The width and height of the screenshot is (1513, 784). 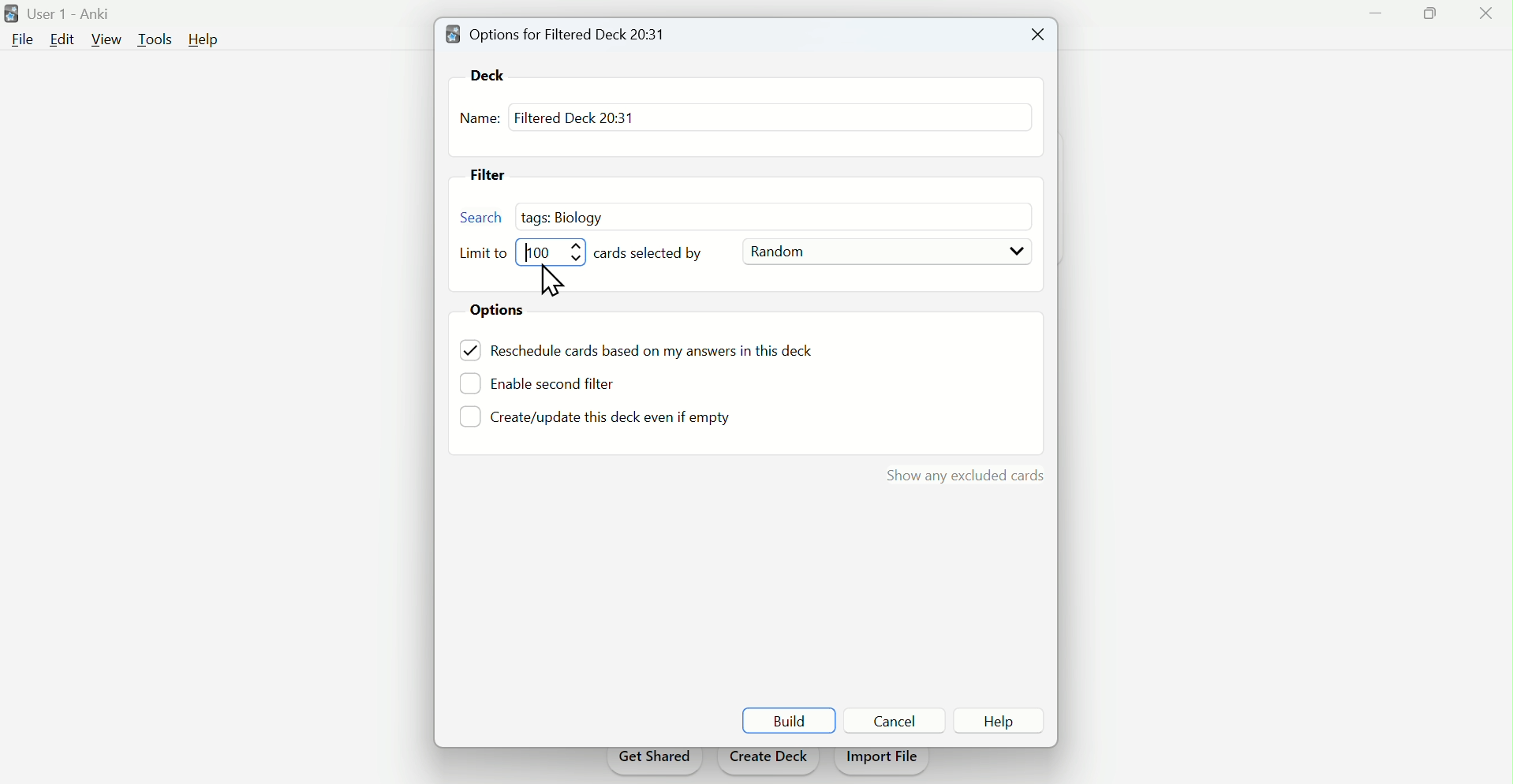 What do you see at coordinates (569, 215) in the screenshot?
I see `tags: biology` at bounding box center [569, 215].